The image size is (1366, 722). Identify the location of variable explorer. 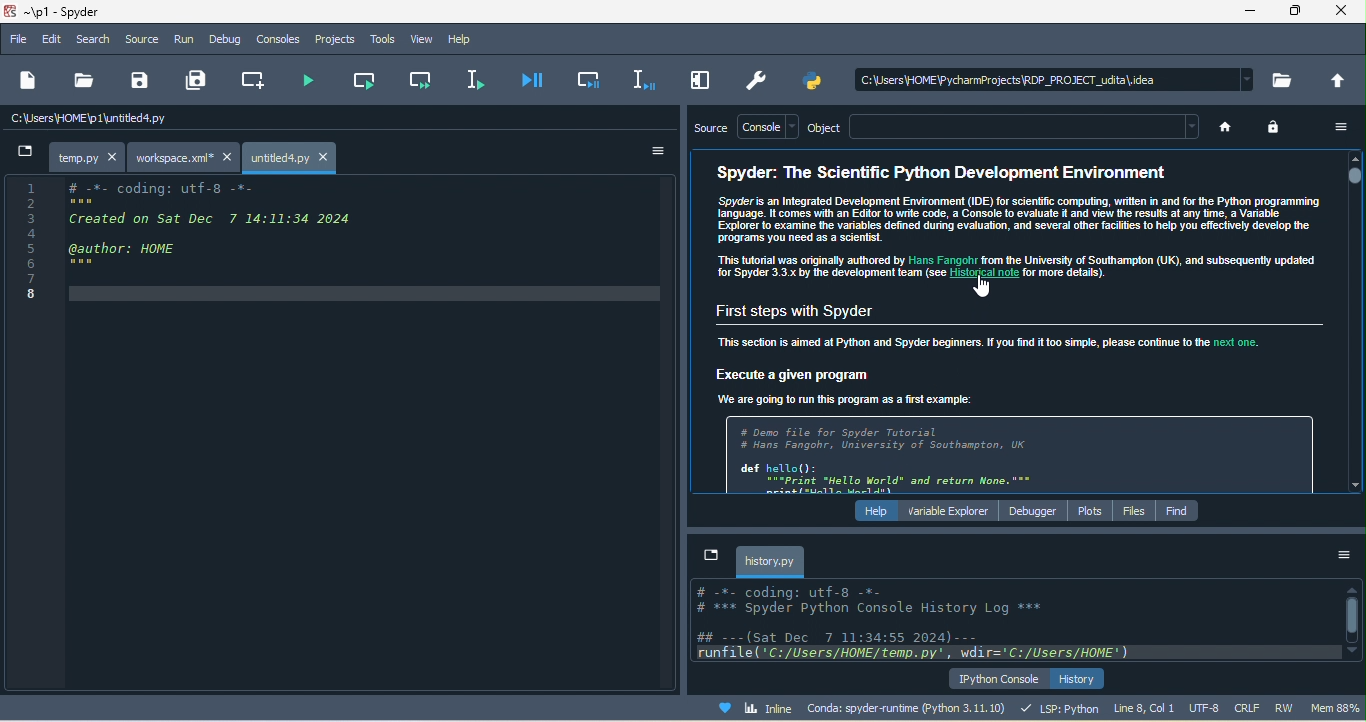
(948, 511).